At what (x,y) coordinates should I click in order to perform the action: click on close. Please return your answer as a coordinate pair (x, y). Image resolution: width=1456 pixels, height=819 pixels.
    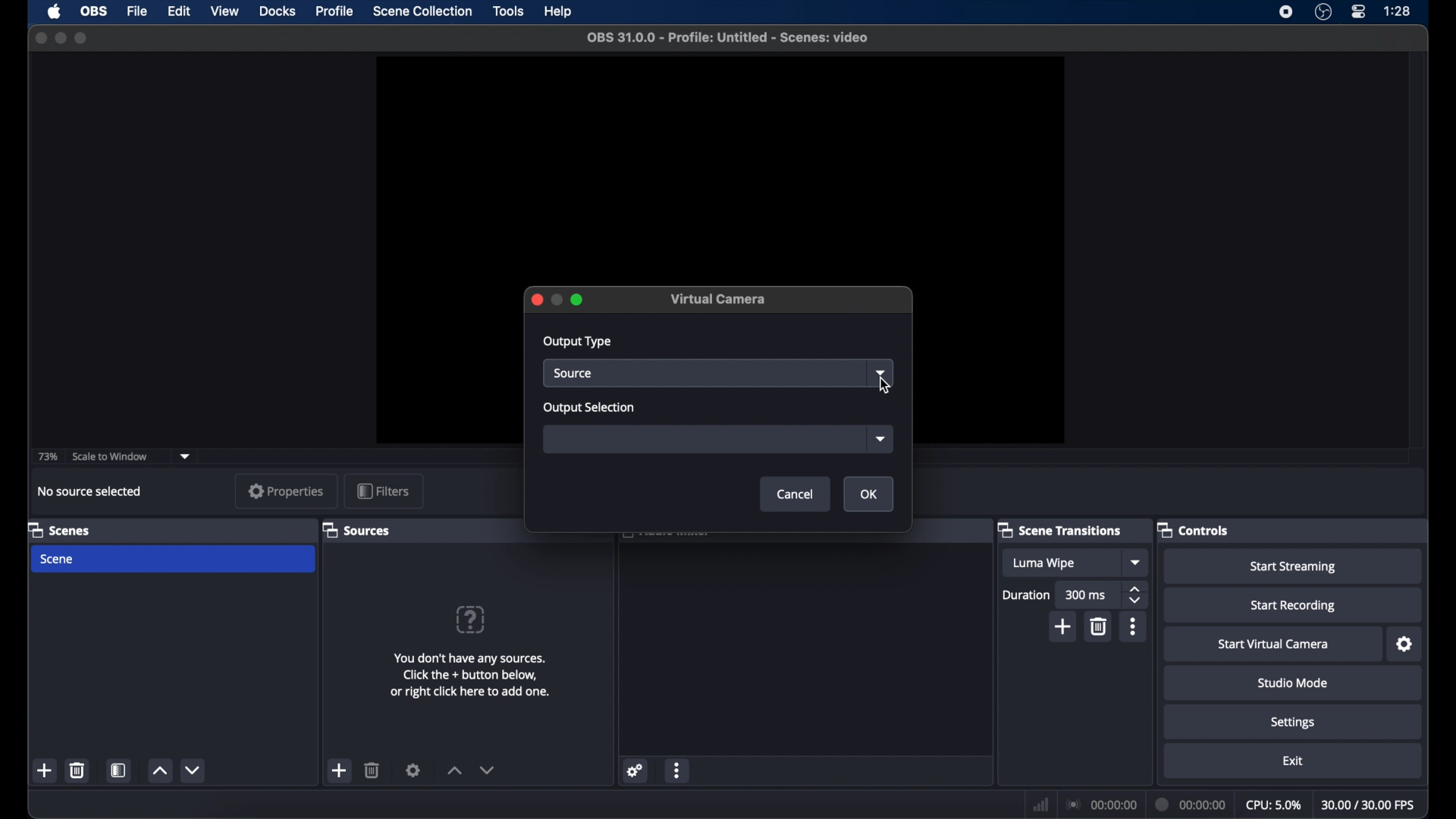
    Looking at the image, I should click on (40, 38).